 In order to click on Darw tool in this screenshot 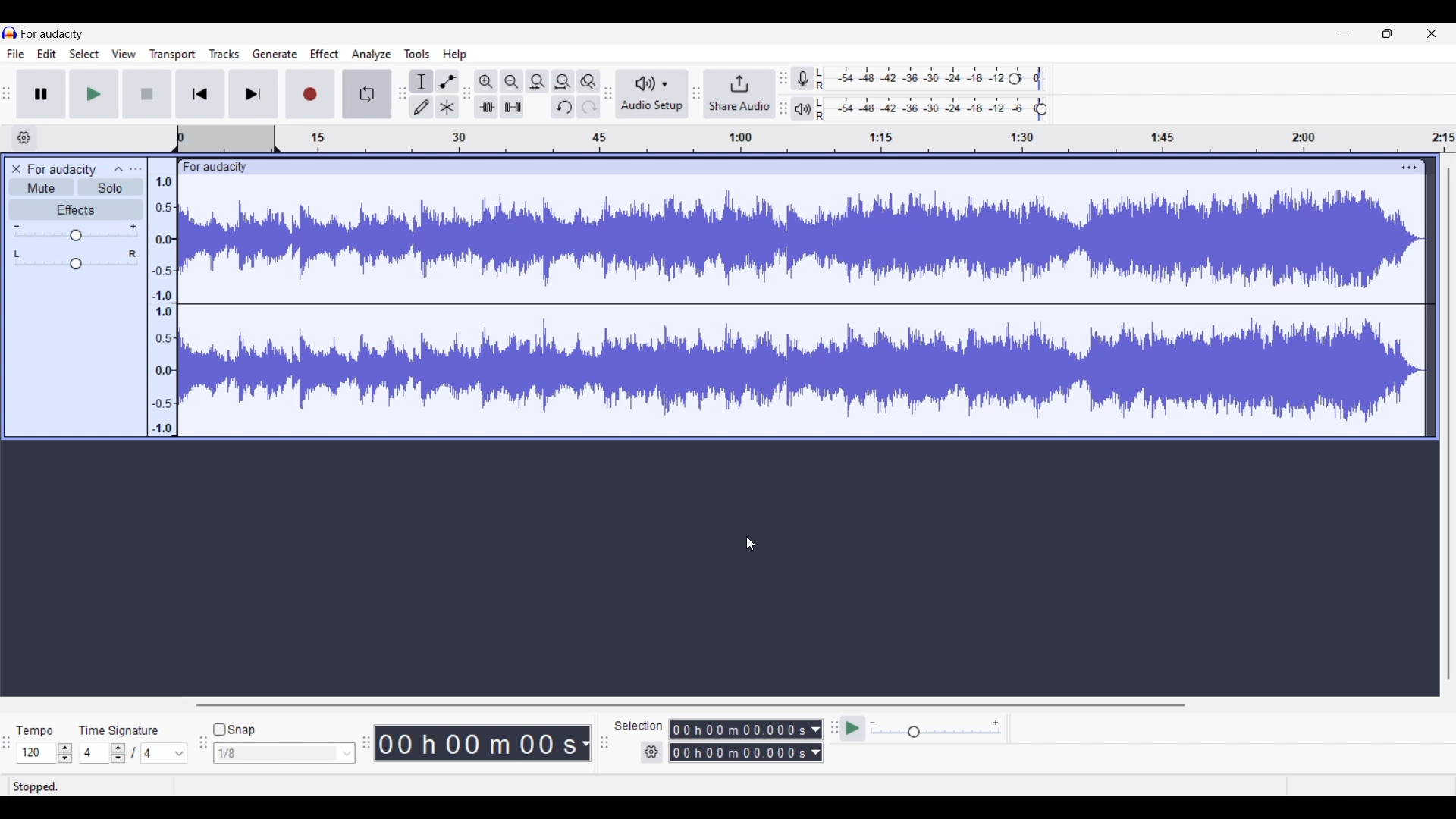, I will do `click(421, 106)`.